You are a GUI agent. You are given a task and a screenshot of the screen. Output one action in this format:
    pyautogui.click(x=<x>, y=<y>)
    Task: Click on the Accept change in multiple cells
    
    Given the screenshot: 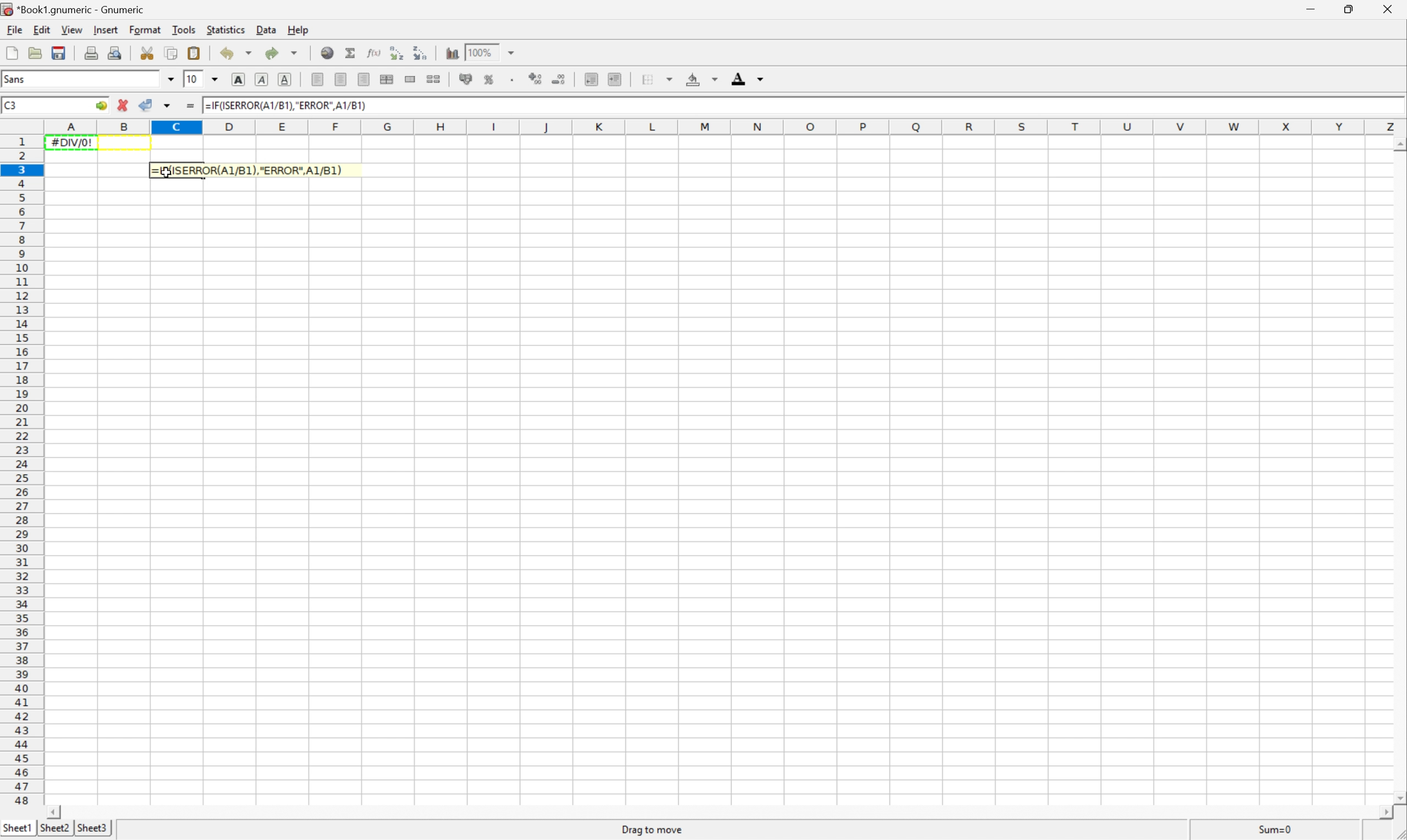 What is the action you would take?
    pyautogui.click(x=169, y=106)
    